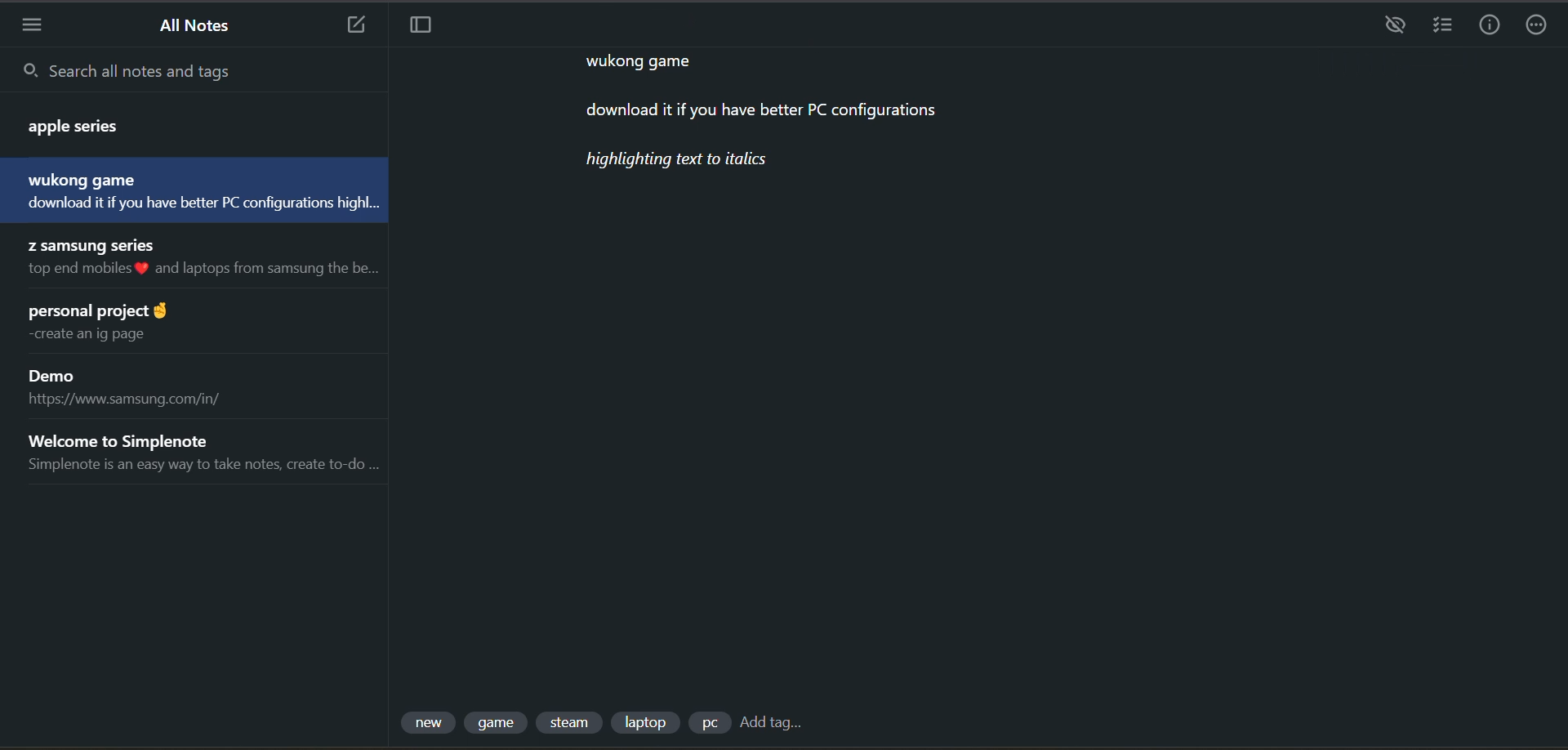 The height and width of the screenshot is (750, 1568). What do you see at coordinates (190, 190) in the screenshot?
I see `note title and preview` at bounding box center [190, 190].